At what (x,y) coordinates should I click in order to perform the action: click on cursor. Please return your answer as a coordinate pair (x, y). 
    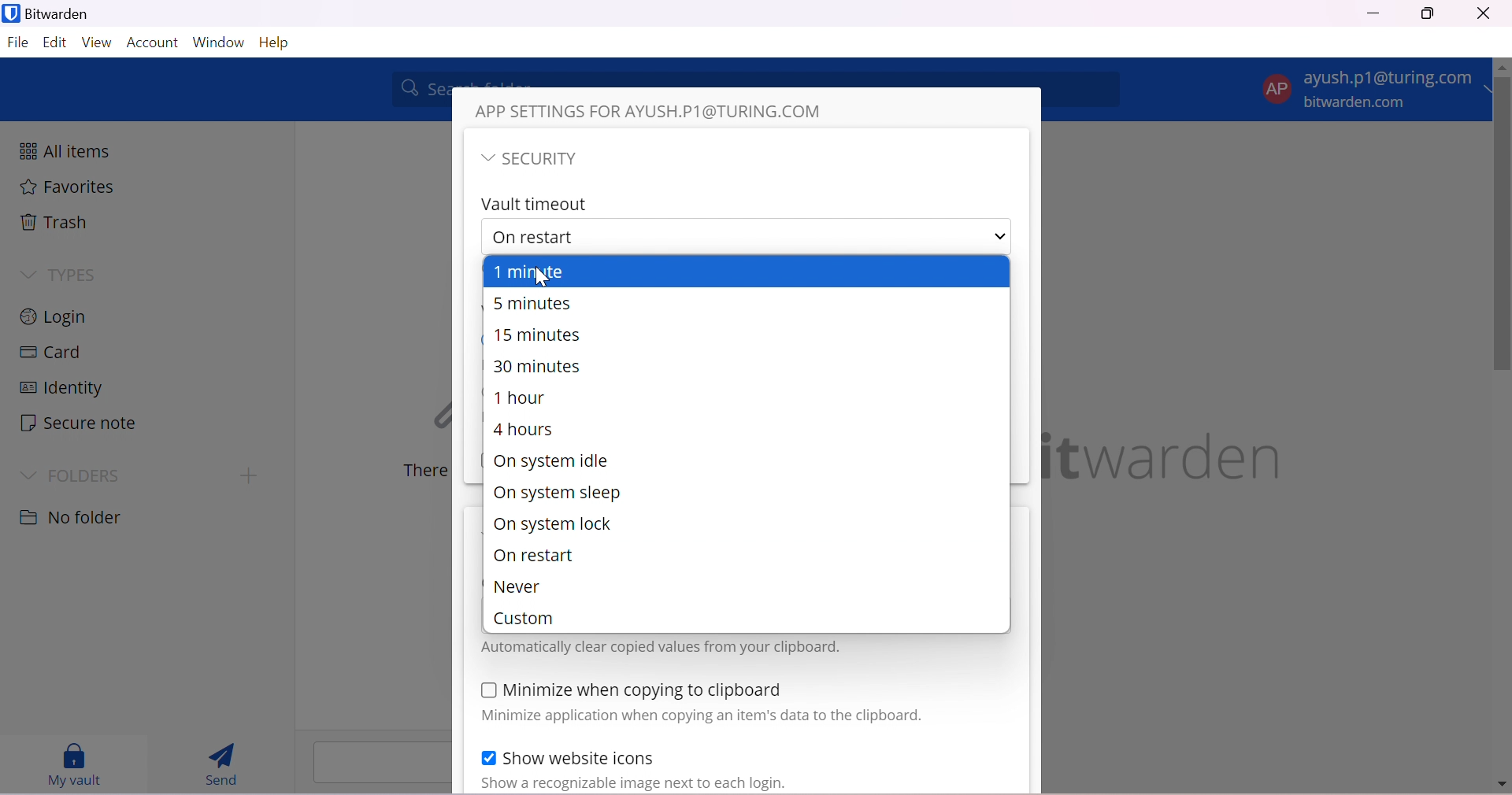
    Looking at the image, I should click on (547, 279).